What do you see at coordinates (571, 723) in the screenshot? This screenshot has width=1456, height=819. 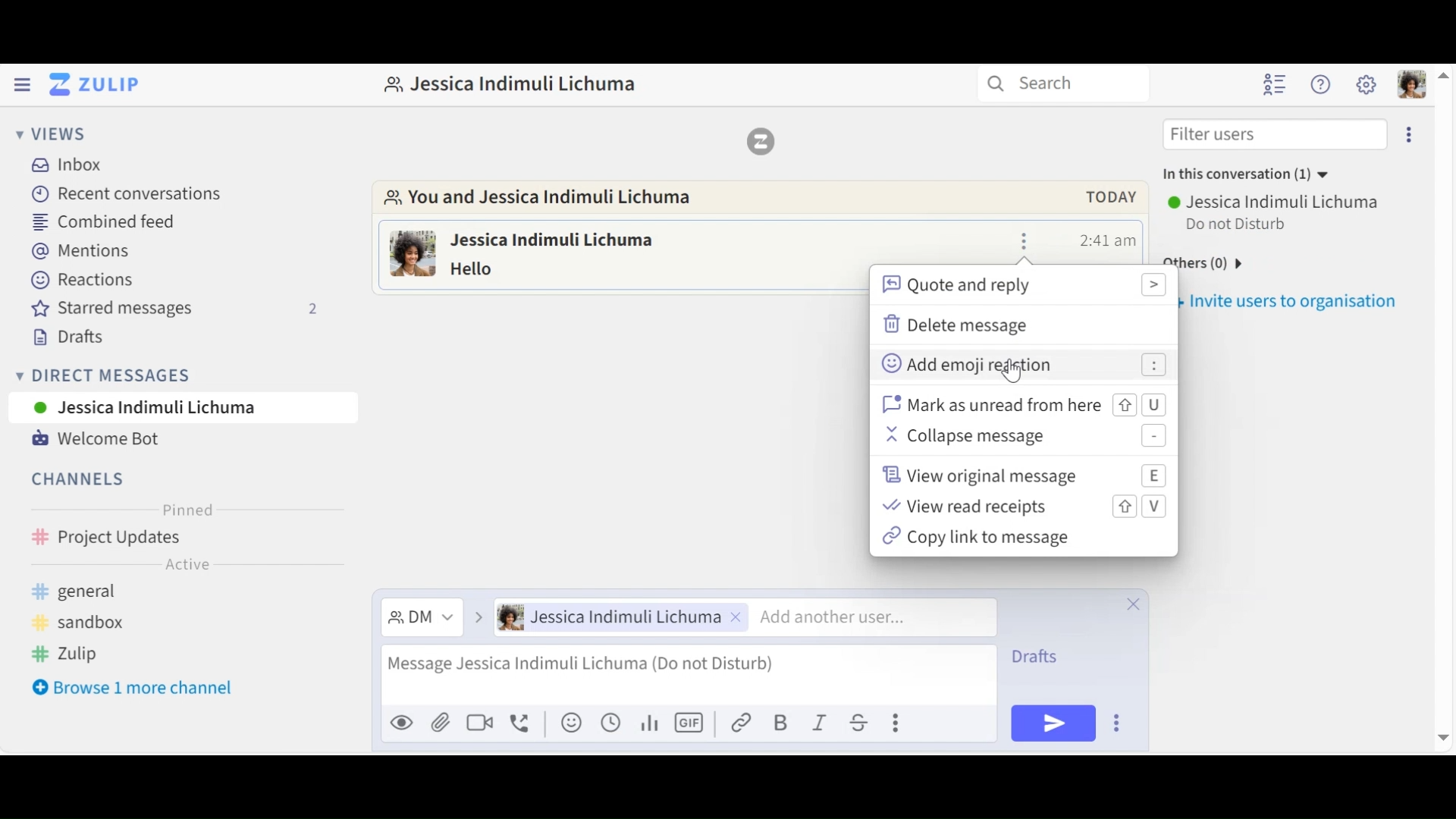 I see `Add an emoji` at bounding box center [571, 723].